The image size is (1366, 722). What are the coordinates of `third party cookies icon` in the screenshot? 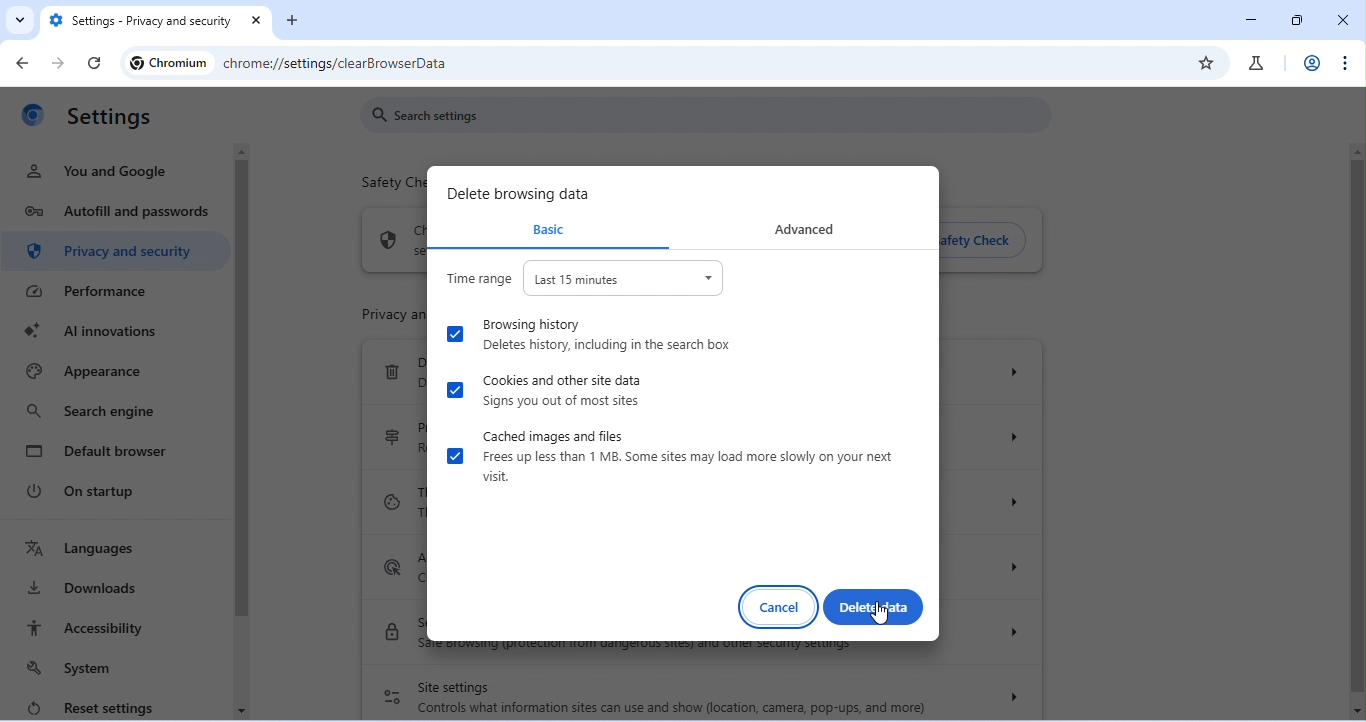 It's located at (391, 501).